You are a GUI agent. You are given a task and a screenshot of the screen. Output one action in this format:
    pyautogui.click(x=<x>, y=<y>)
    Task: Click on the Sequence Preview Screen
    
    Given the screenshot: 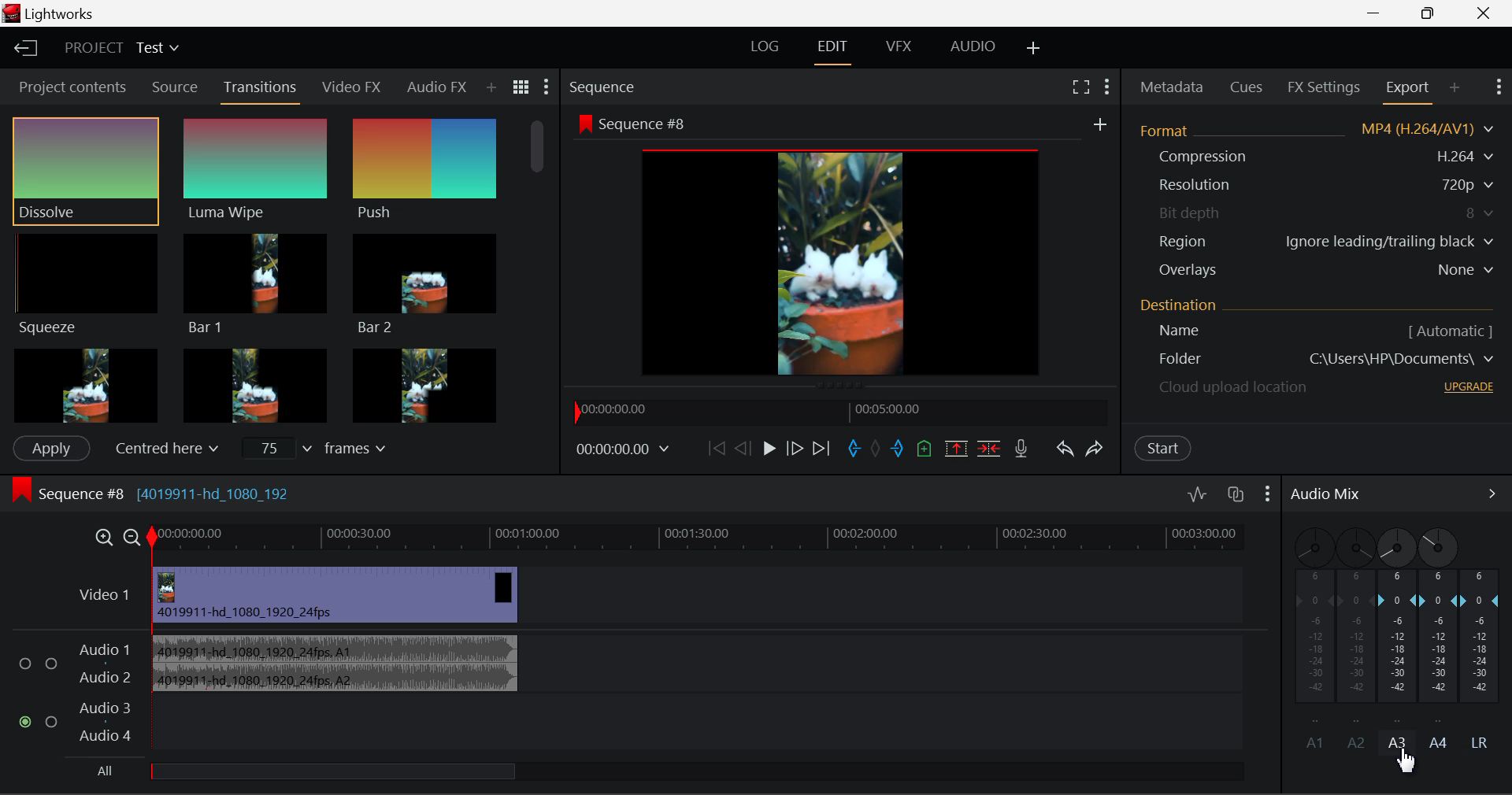 What is the action you would take?
    pyautogui.click(x=843, y=247)
    